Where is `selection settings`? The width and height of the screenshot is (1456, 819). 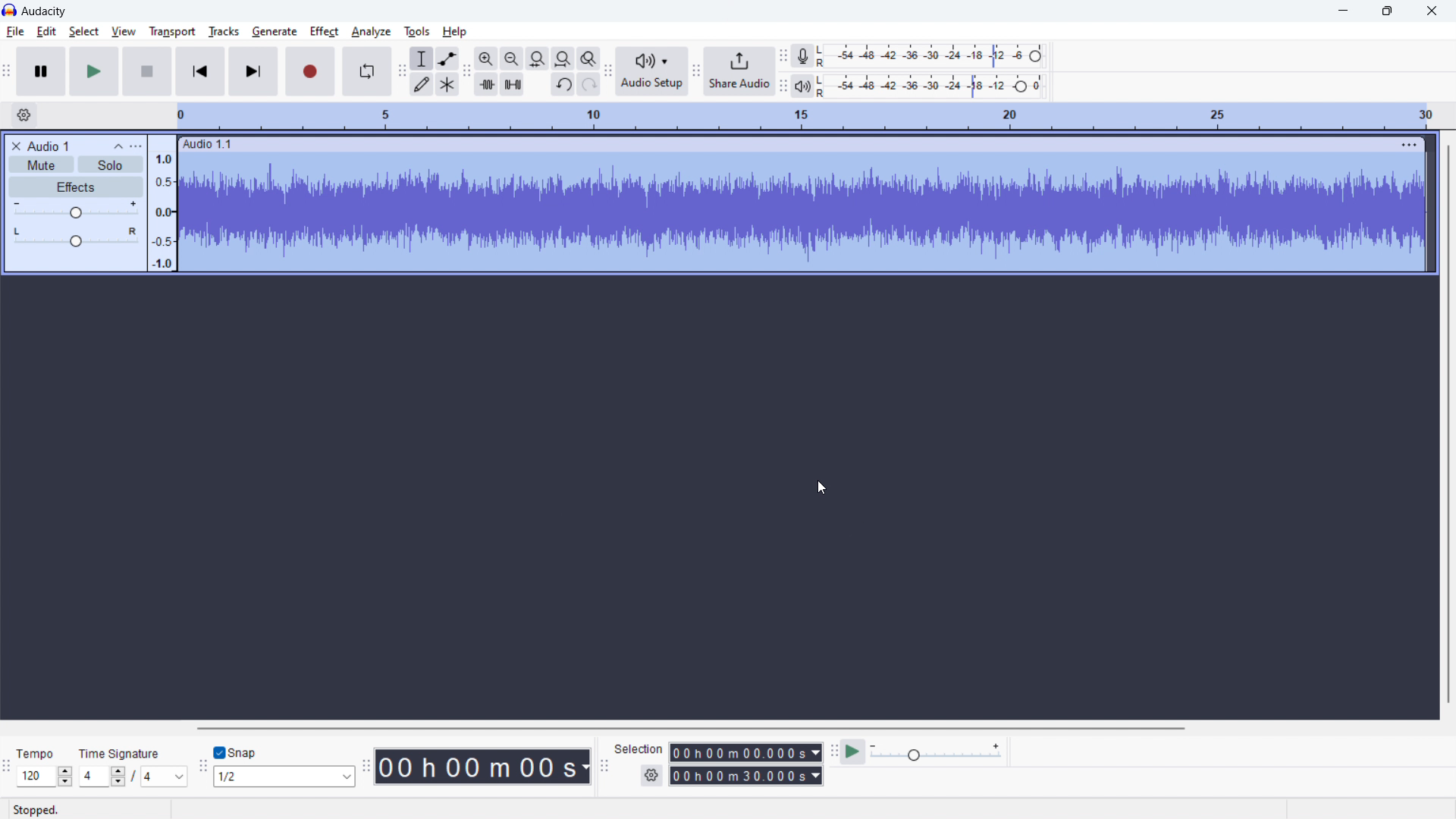
selection settings is located at coordinates (651, 776).